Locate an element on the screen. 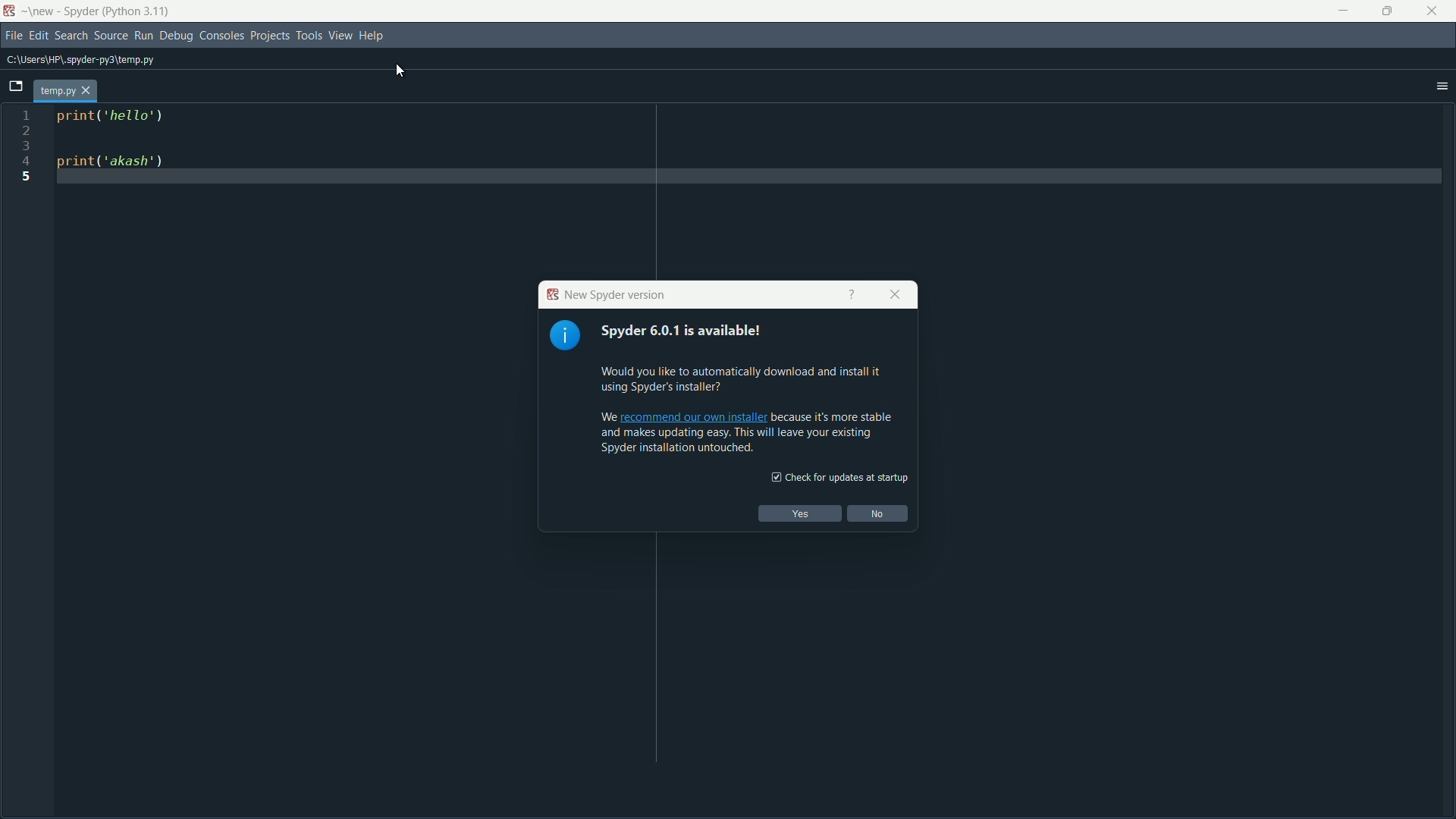  restore is located at coordinates (1386, 9).